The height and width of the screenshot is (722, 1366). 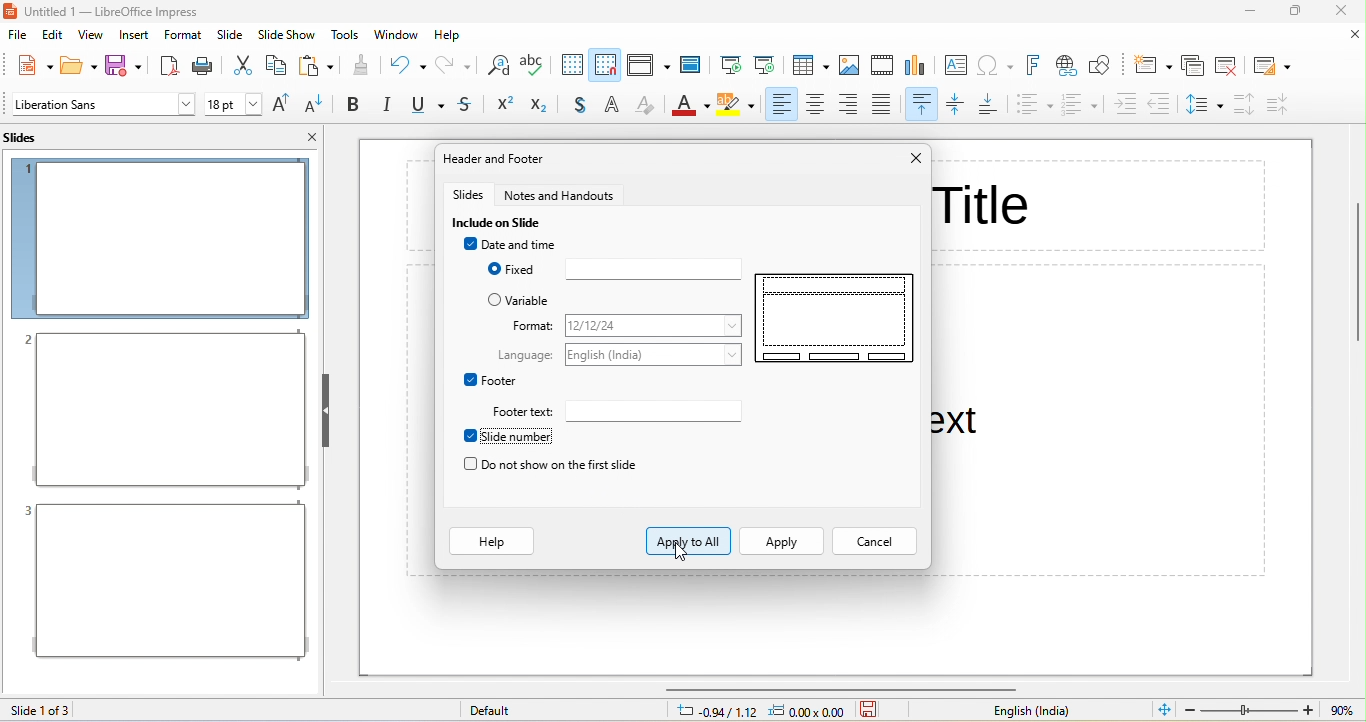 I want to click on display view, so click(x=648, y=65).